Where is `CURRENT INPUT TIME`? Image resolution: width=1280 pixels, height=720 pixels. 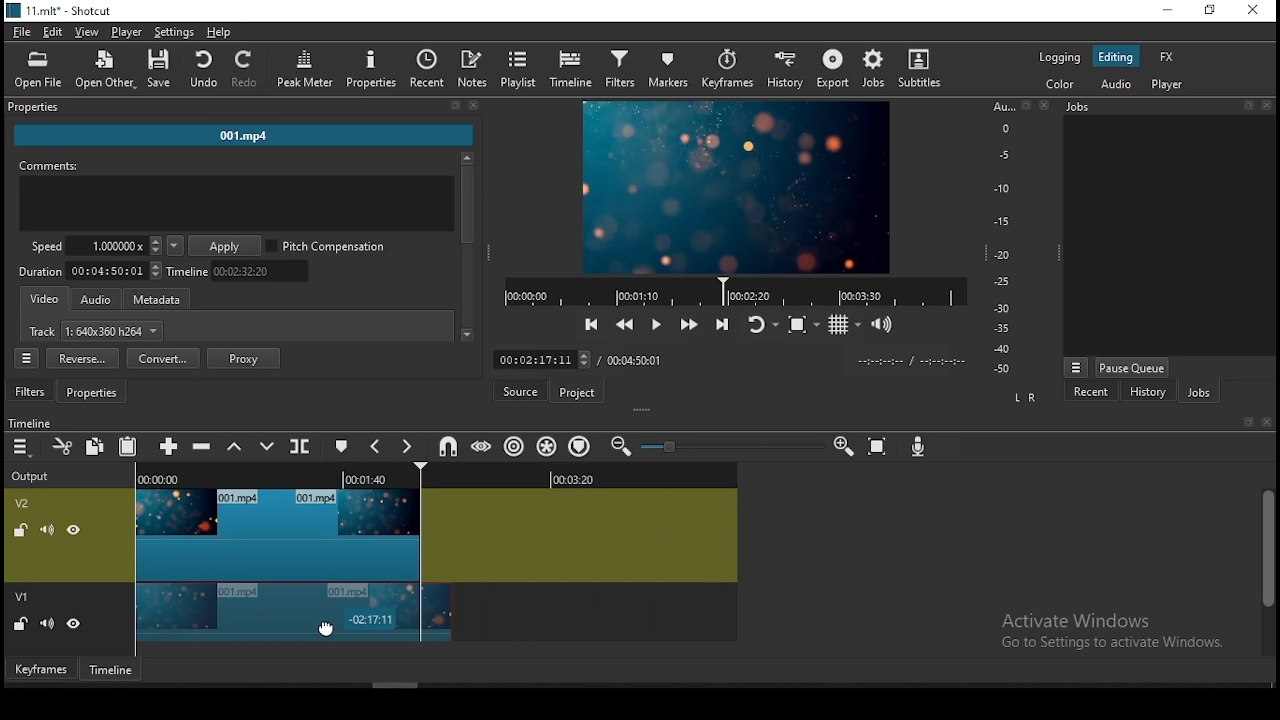 CURRENT INPUT TIME is located at coordinates (541, 359).